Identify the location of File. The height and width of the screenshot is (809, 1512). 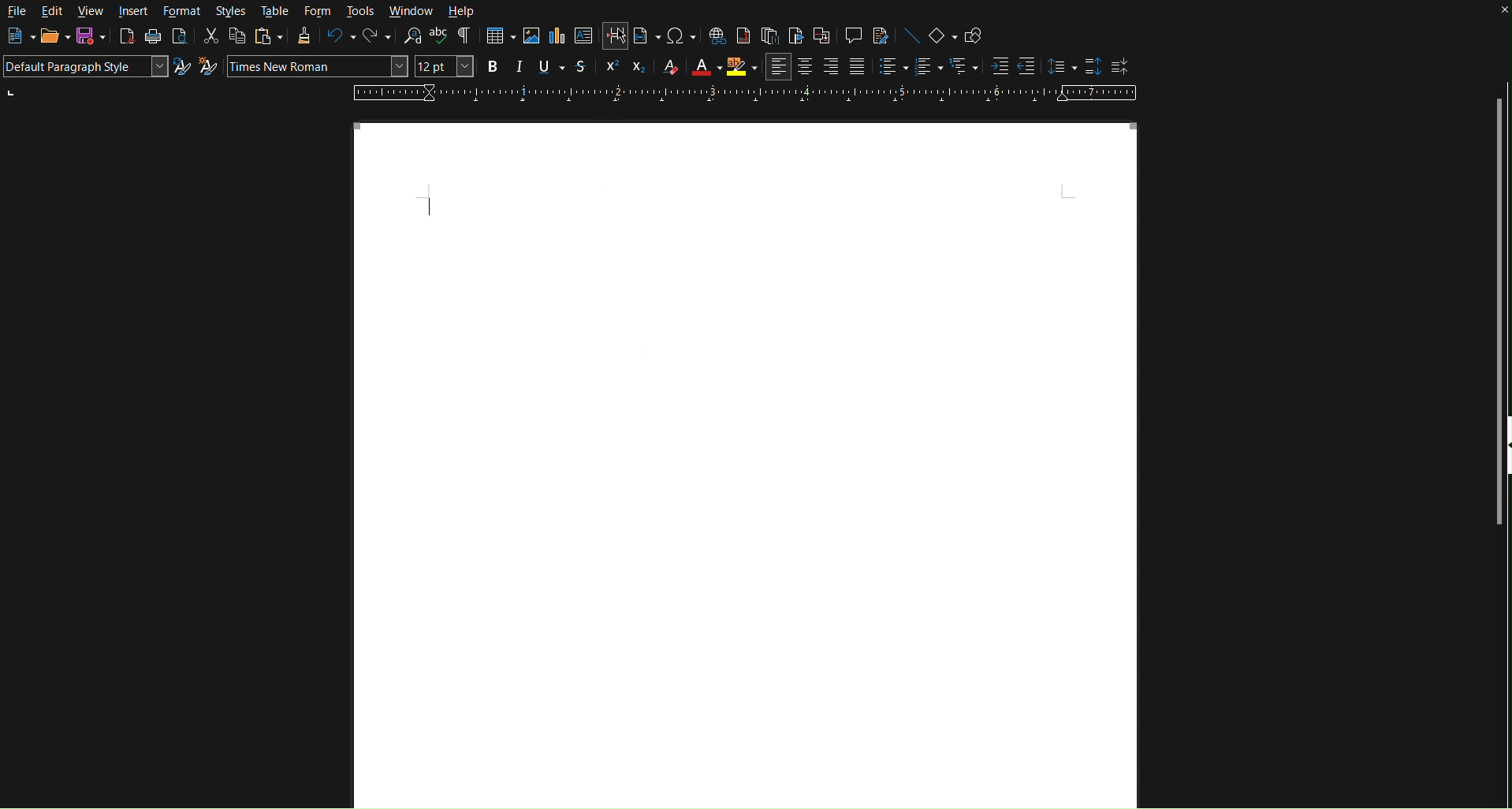
(17, 10).